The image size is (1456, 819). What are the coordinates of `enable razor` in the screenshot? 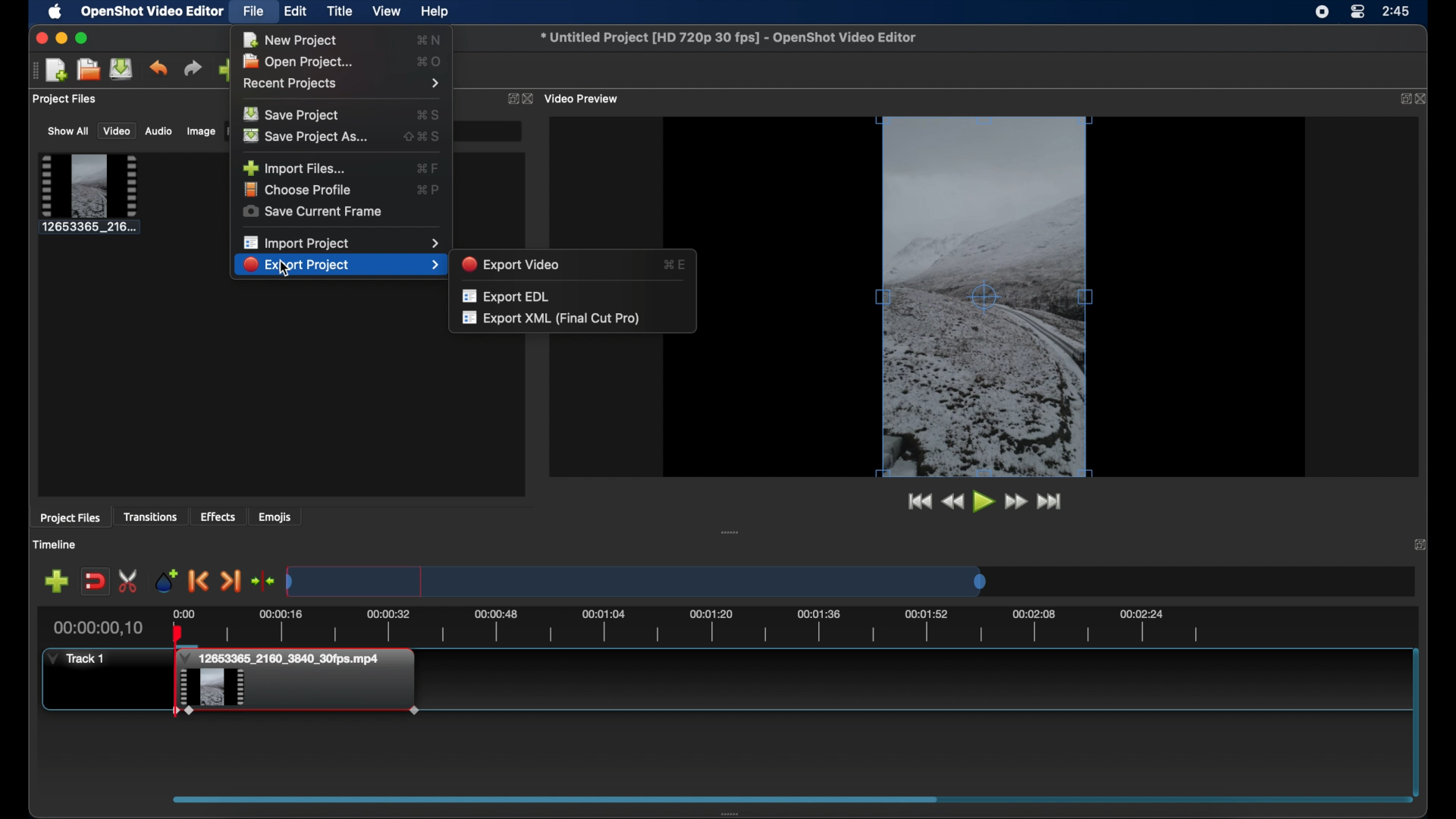 It's located at (130, 580).